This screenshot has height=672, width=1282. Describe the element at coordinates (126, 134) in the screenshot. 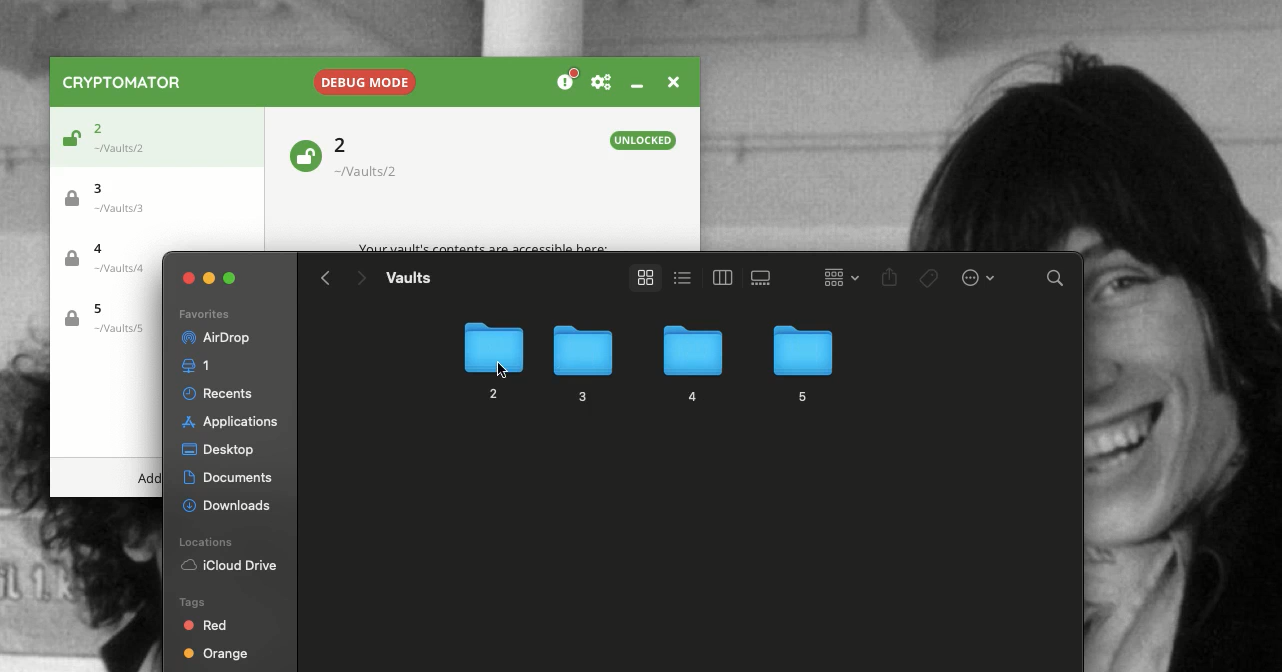

I see `Vault 2` at that location.